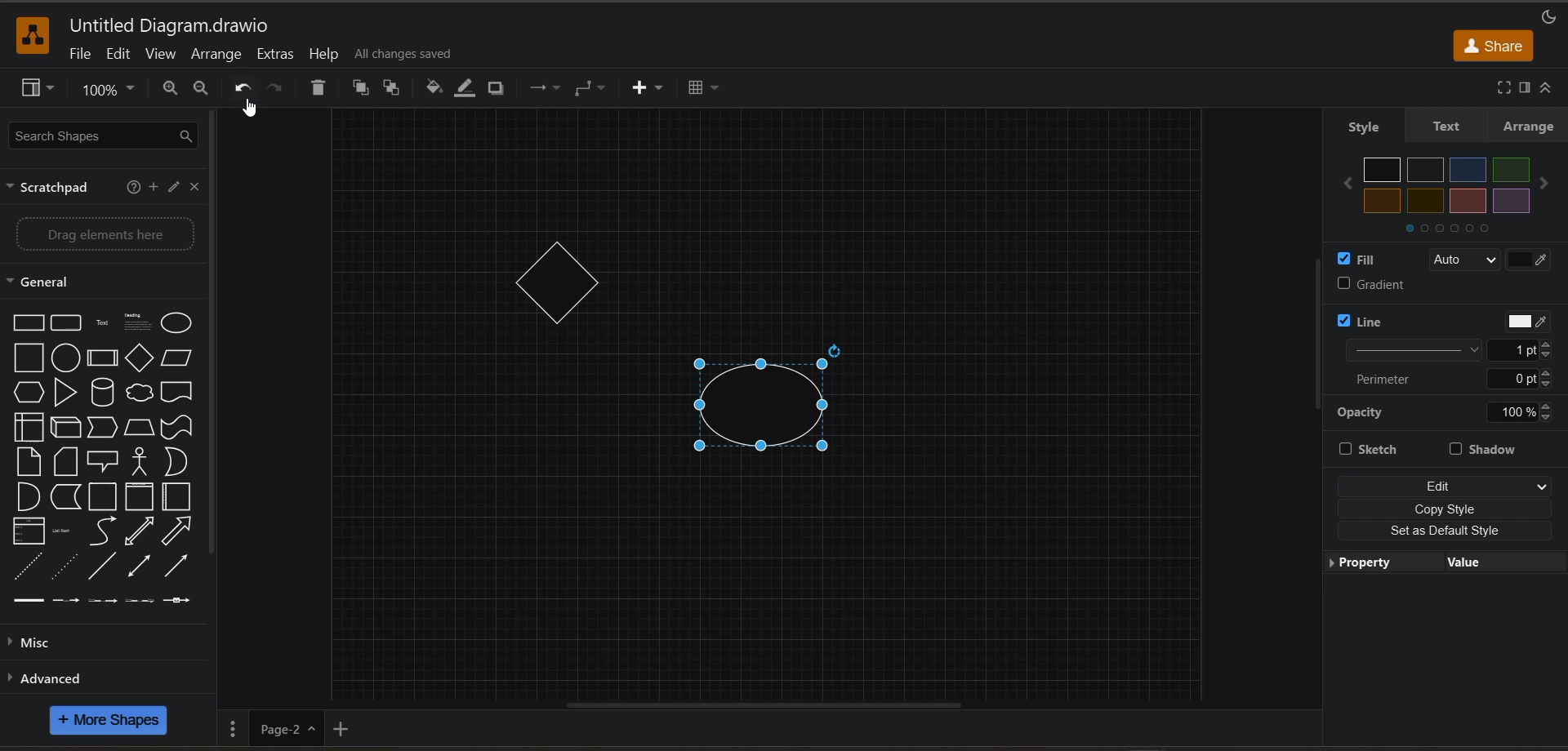 The image size is (1568, 751). Describe the element at coordinates (500, 87) in the screenshot. I see `shadow` at that location.